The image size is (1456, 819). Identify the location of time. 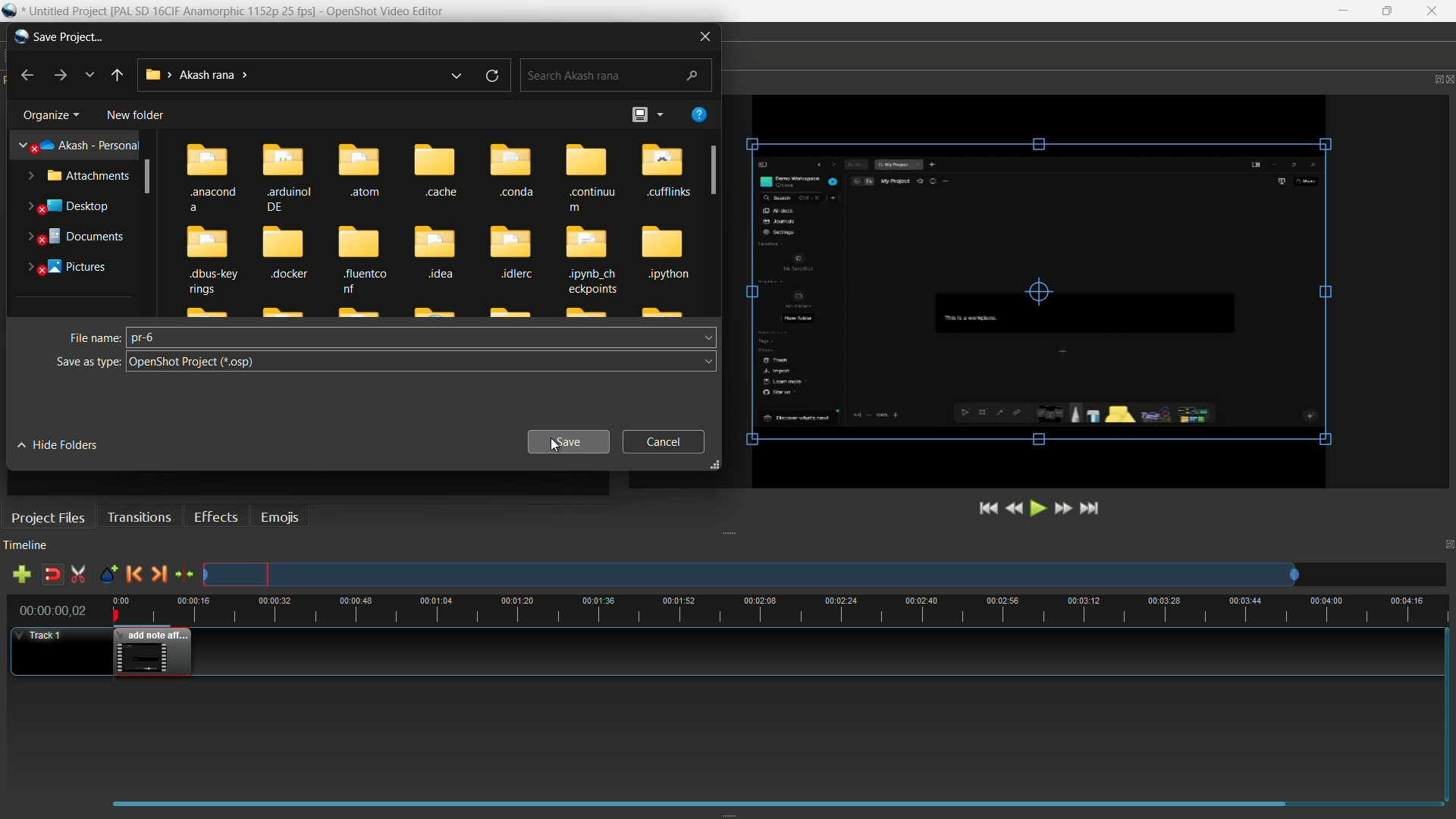
(780, 608).